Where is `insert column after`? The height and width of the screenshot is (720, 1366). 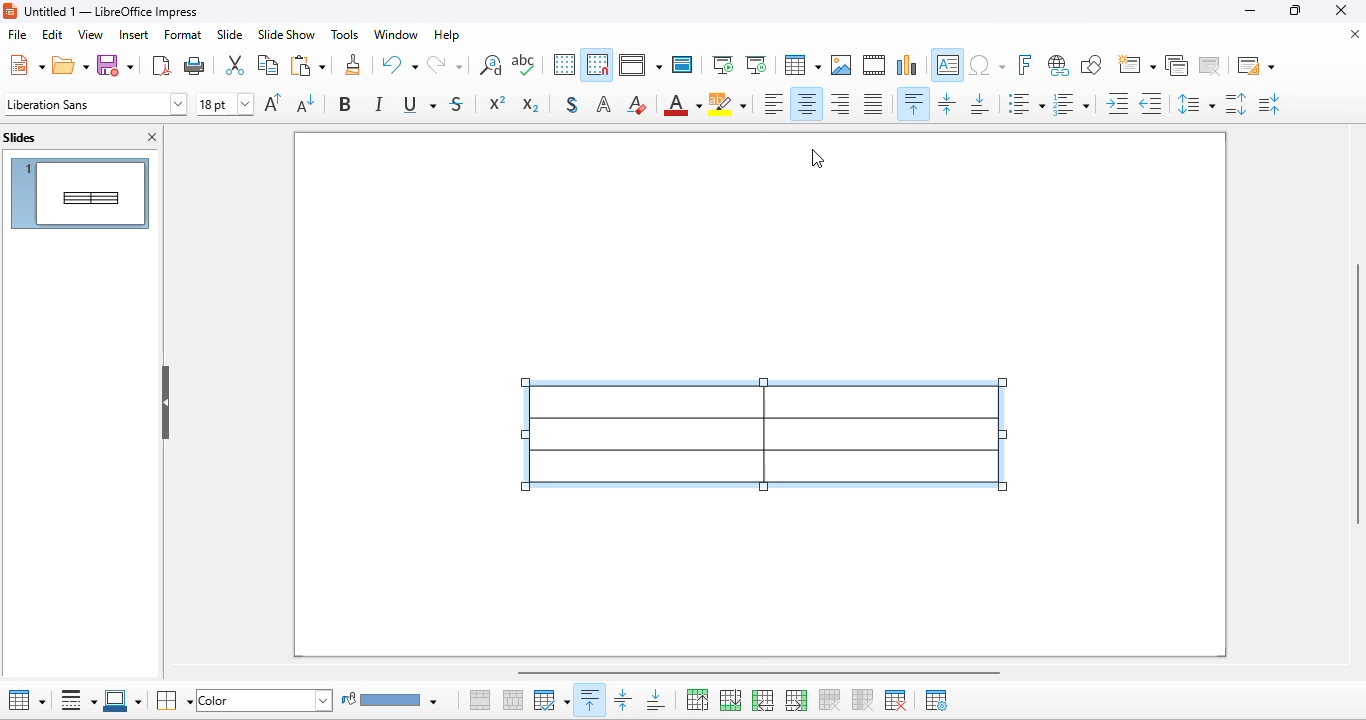 insert column after is located at coordinates (797, 700).